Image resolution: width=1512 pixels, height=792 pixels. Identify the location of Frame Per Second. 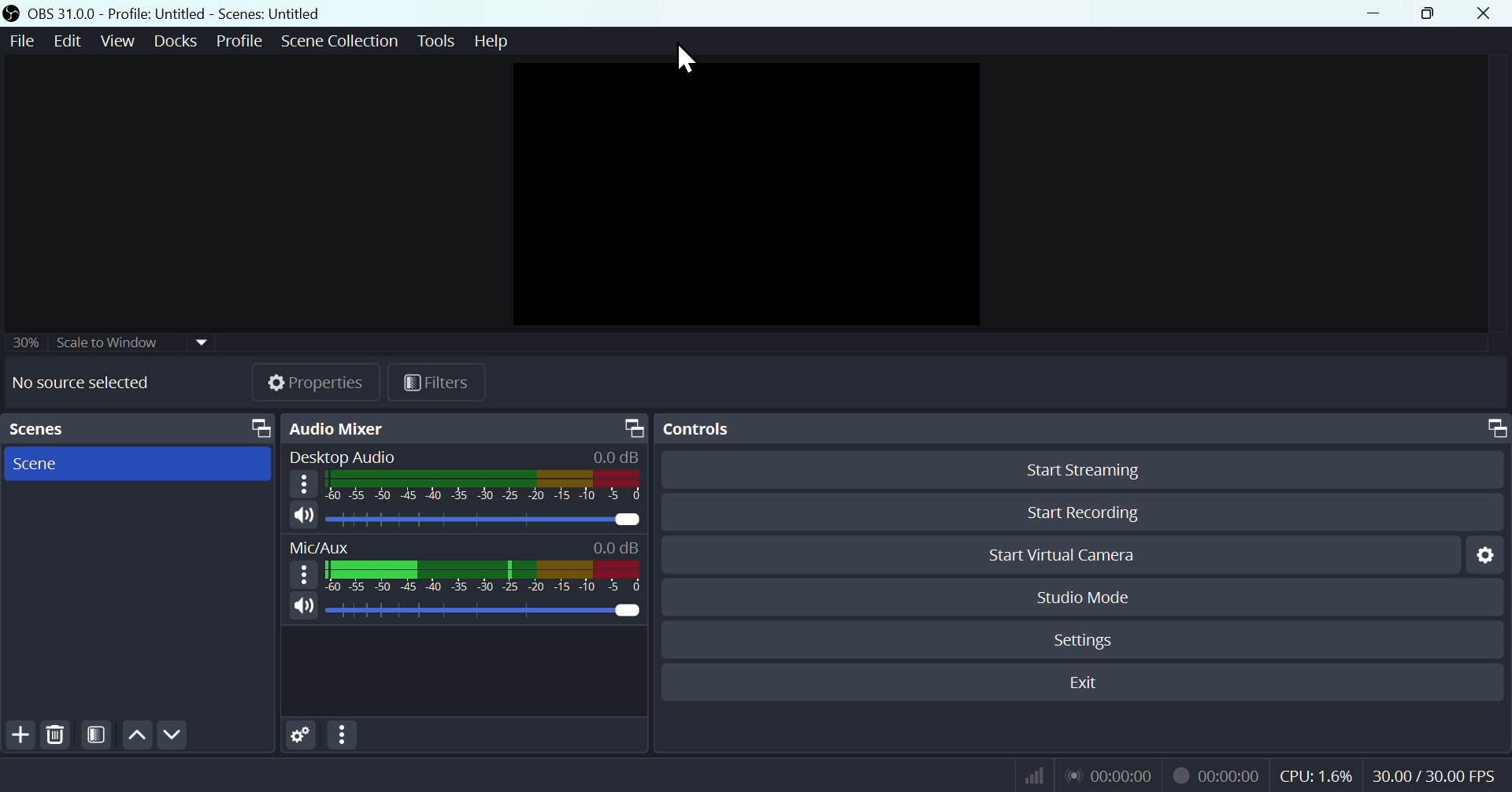
(1435, 775).